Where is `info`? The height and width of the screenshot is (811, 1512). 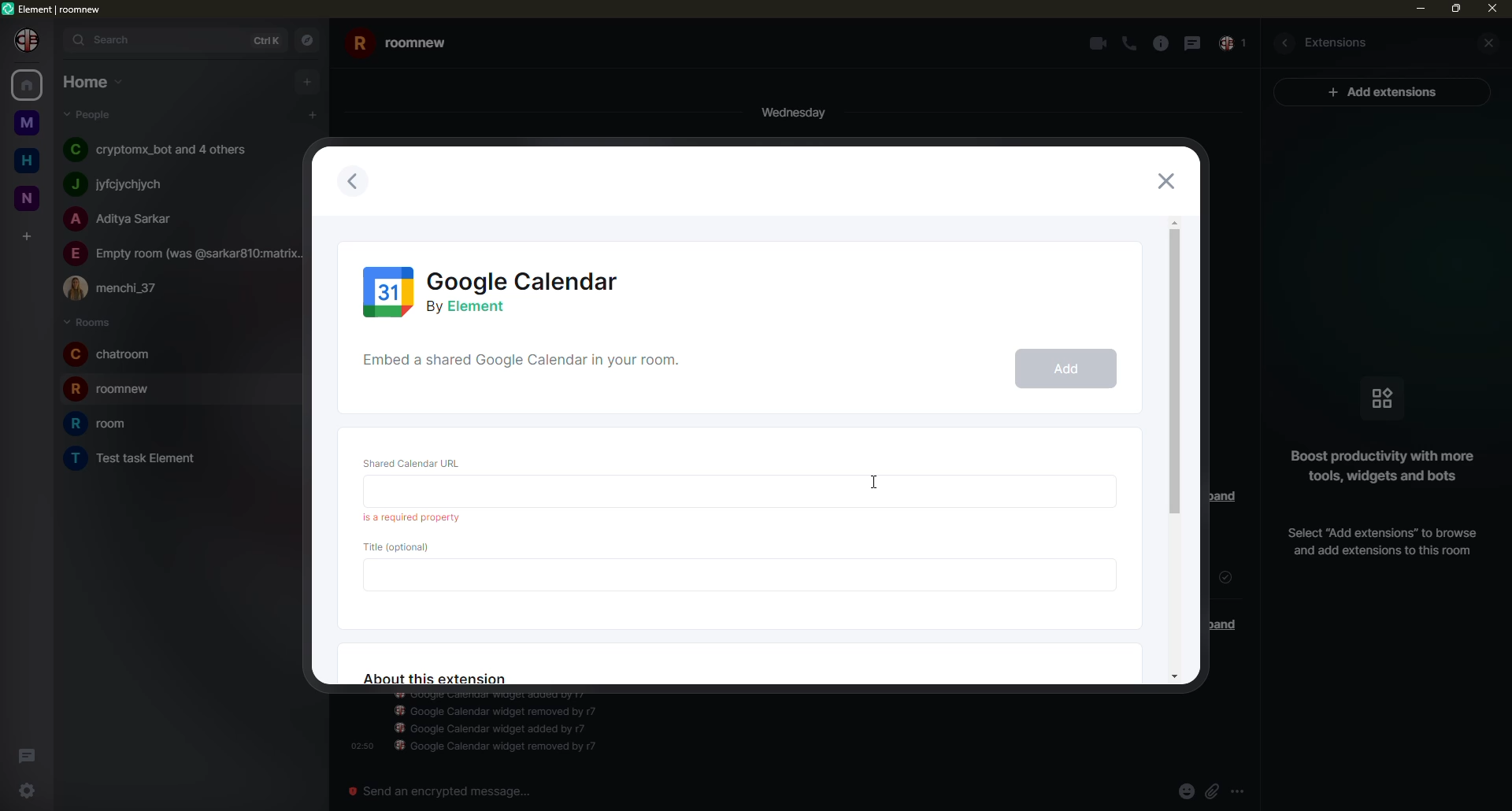 info is located at coordinates (1377, 467).